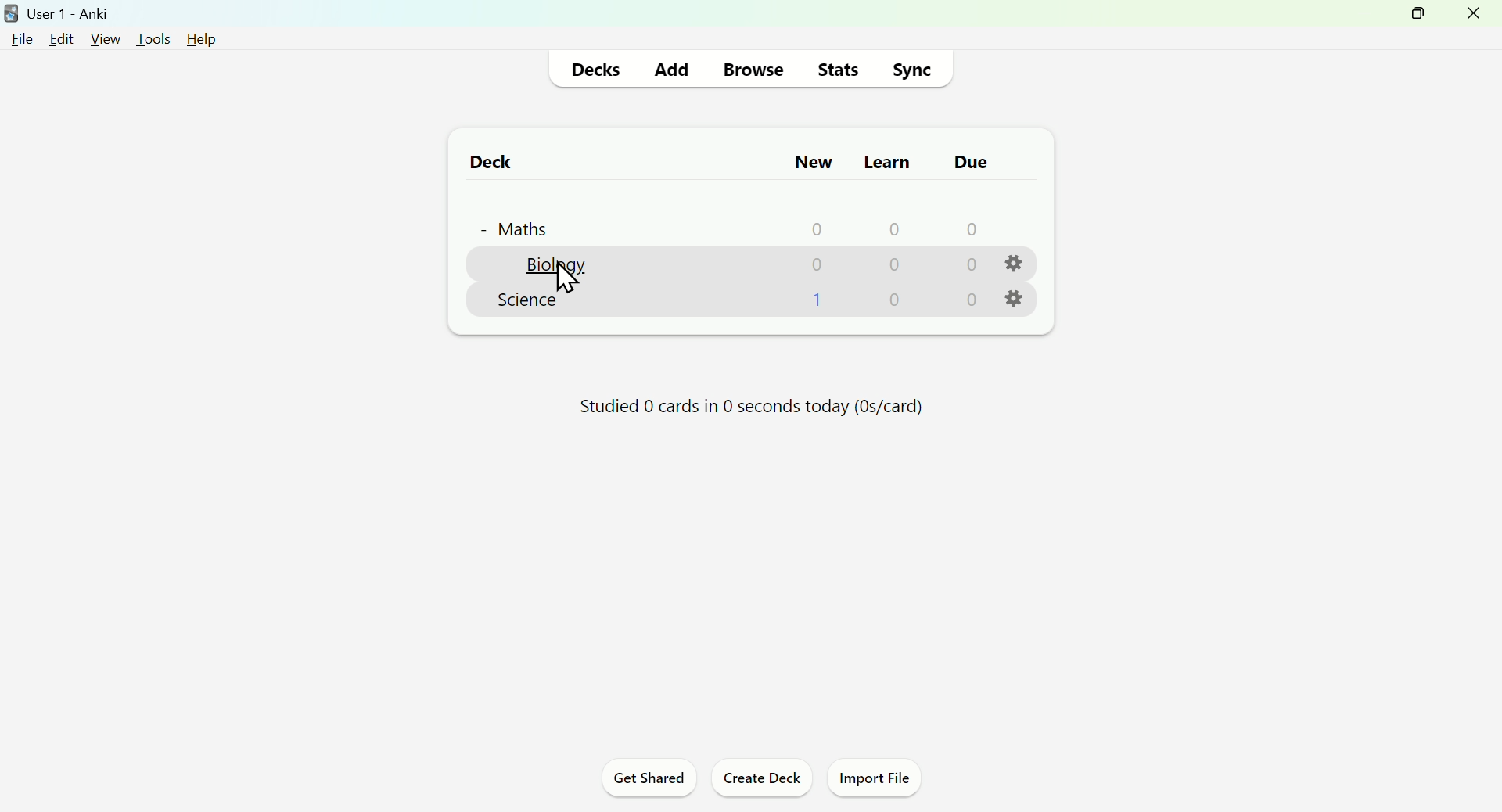 Image resolution: width=1502 pixels, height=812 pixels. I want to click on 0, so click(893, 268).